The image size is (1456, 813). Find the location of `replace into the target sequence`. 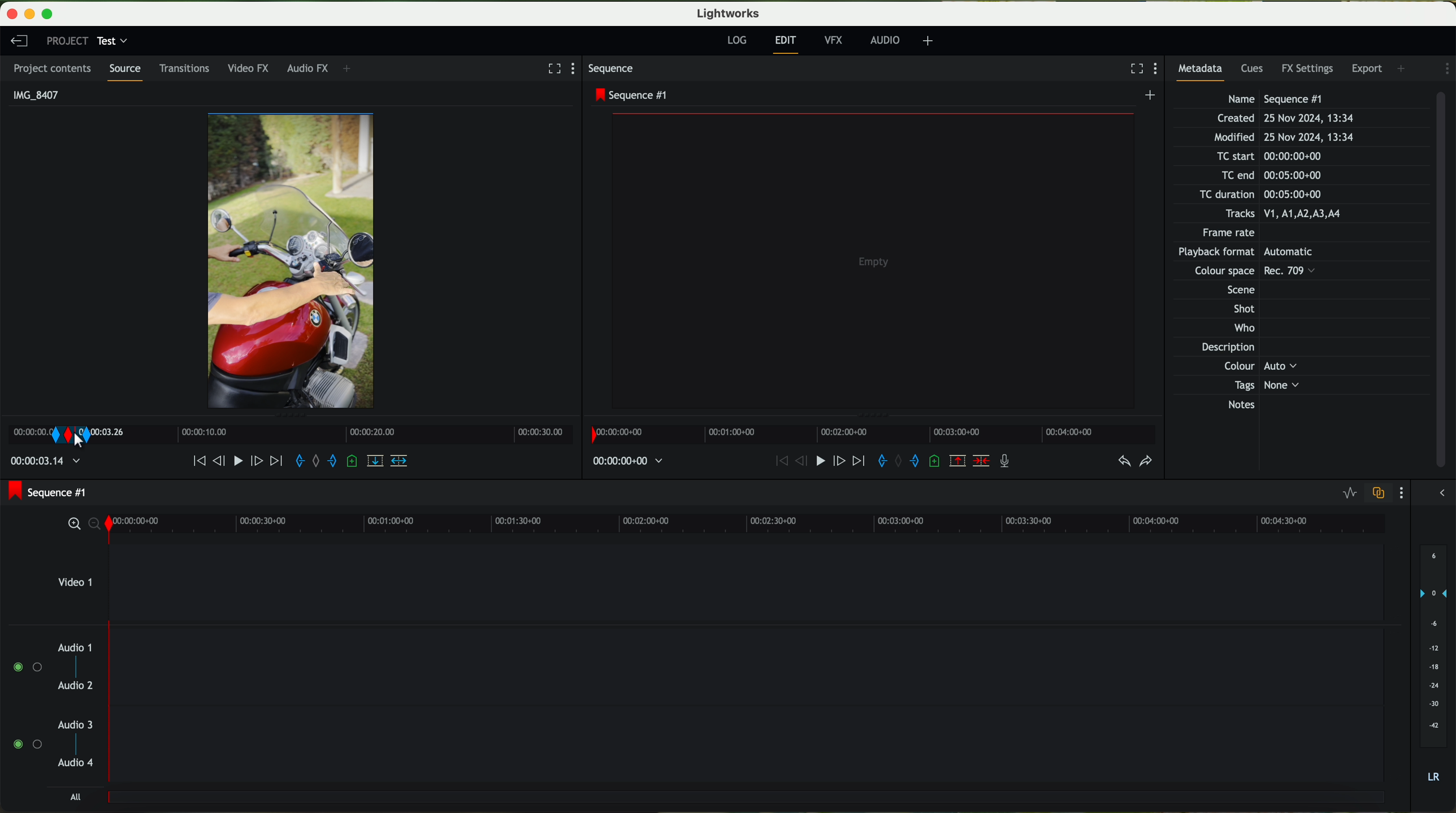

replace into the target sequence is located at coordinates (378, 465).